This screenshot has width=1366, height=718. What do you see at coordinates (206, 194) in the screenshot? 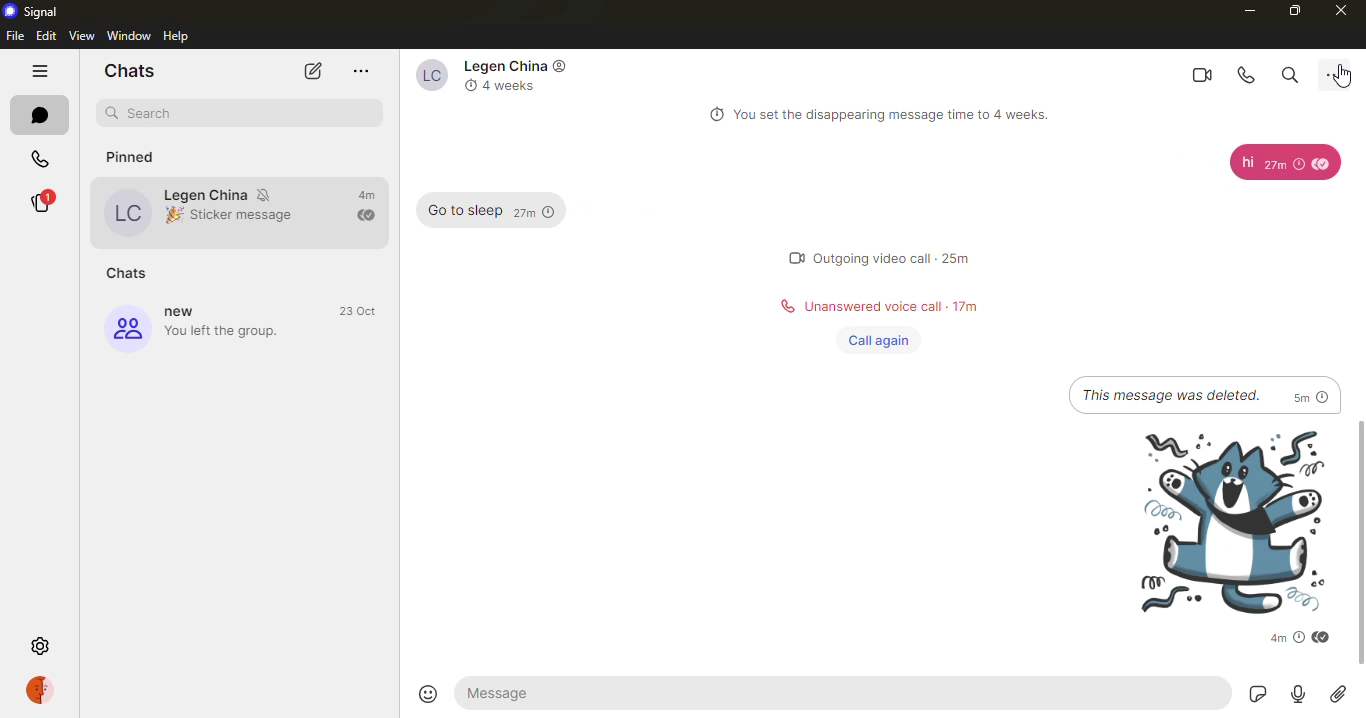
I see `Legen China` at bounding box center [206, 194].